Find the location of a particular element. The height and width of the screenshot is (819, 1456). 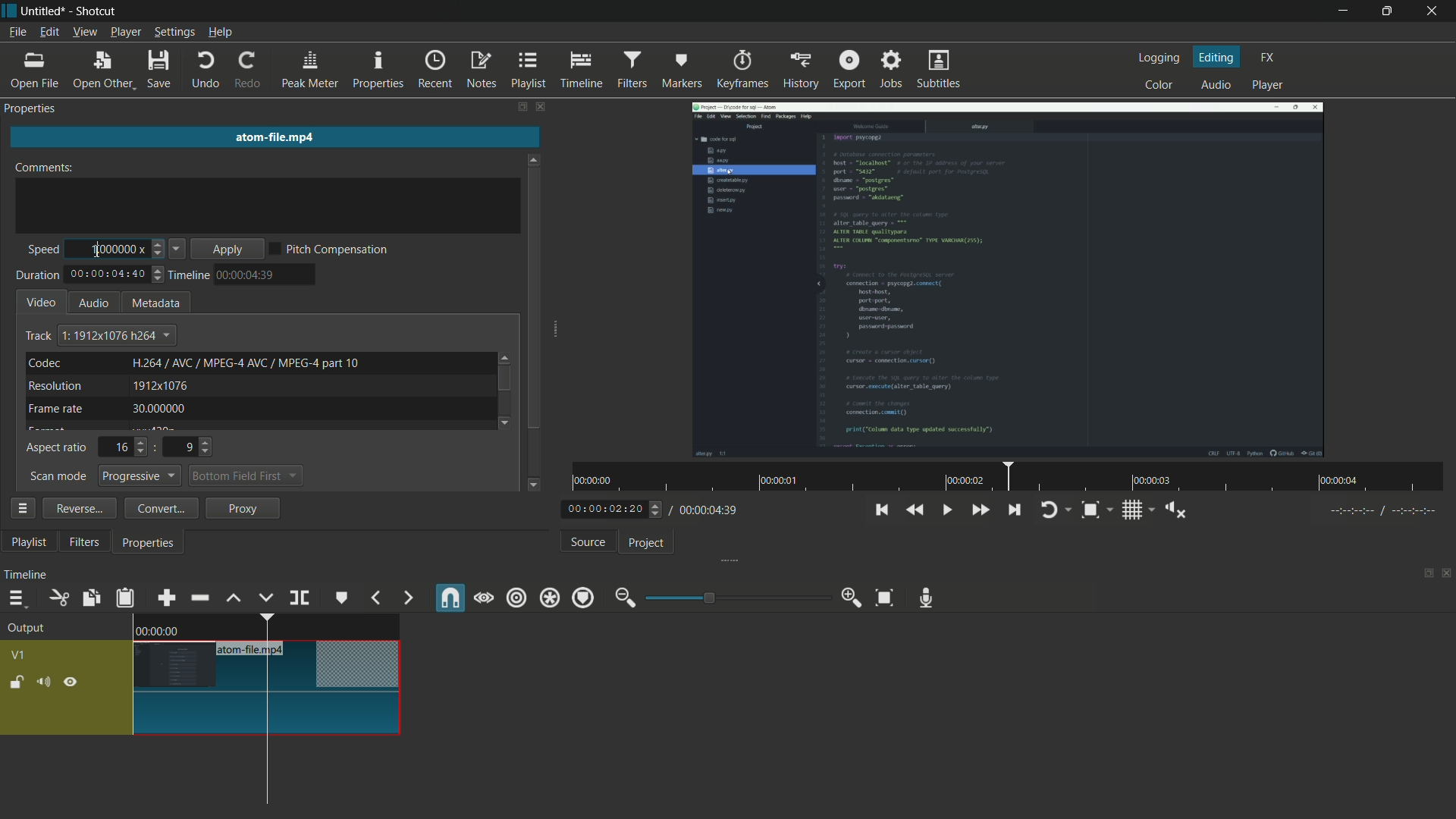

toggle play or pause is located at coordinates (945, 510).